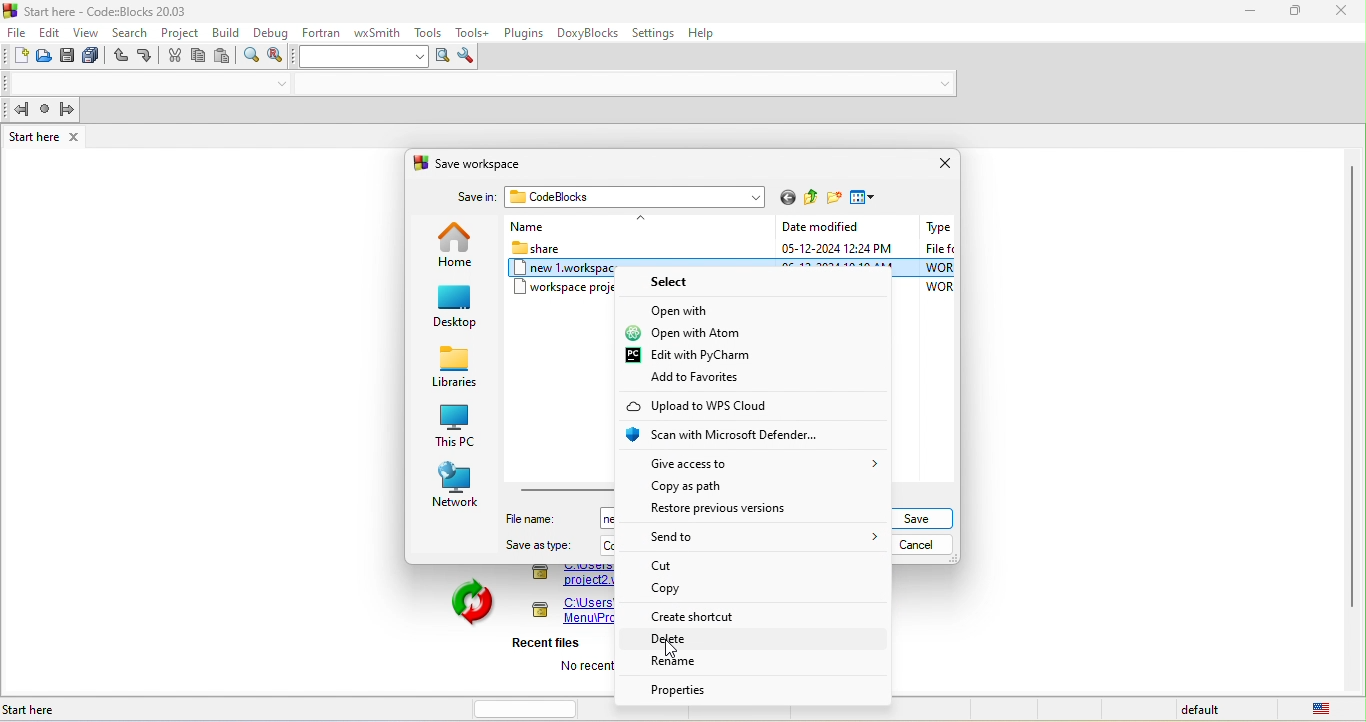  Describe the element at coordinates (698, 615) in the screenshot. I see `create shortcut` at that location.